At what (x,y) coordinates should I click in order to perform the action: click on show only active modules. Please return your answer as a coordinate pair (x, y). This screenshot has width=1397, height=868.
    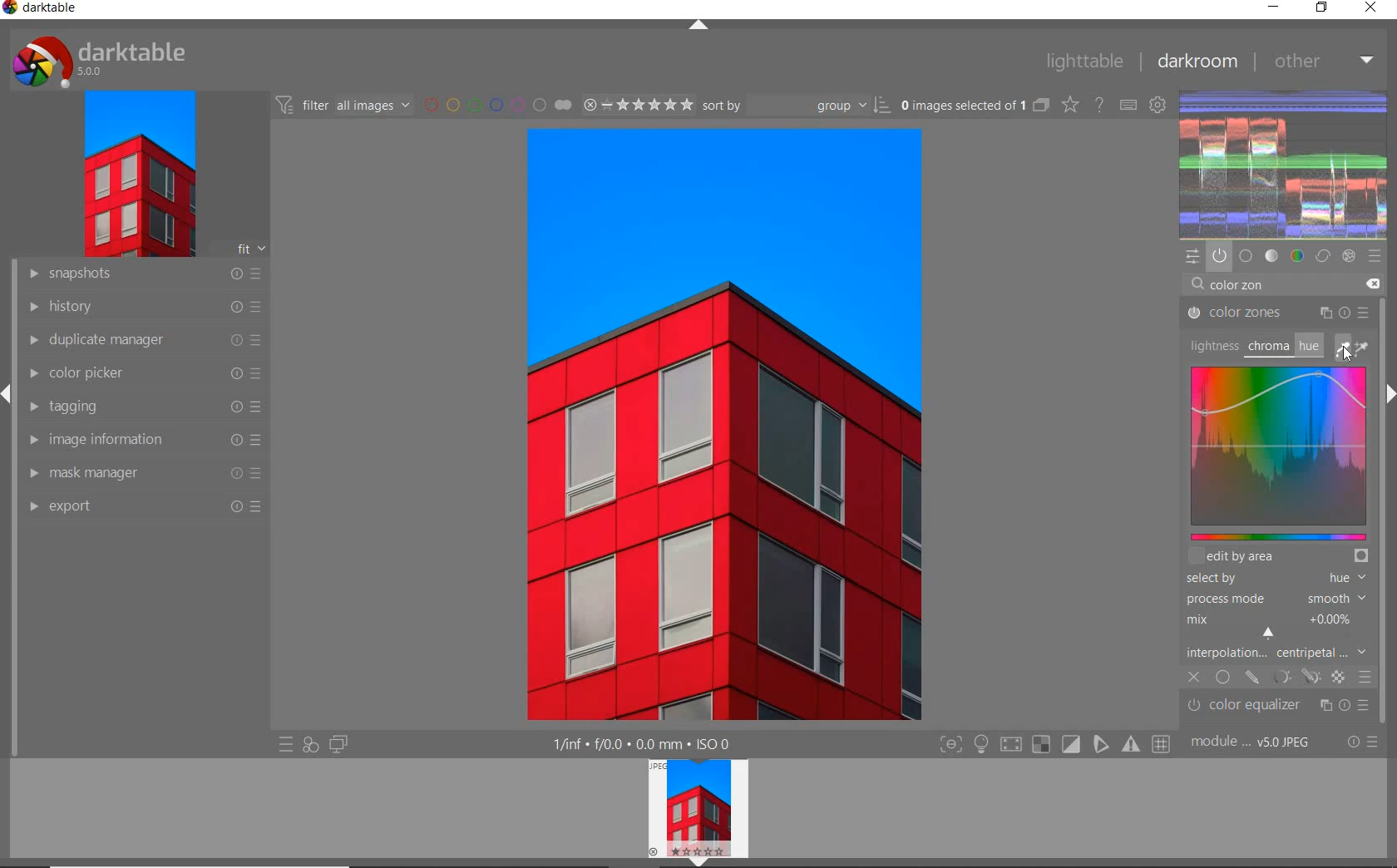
    Looking at the image, I should click on (1219, 255).